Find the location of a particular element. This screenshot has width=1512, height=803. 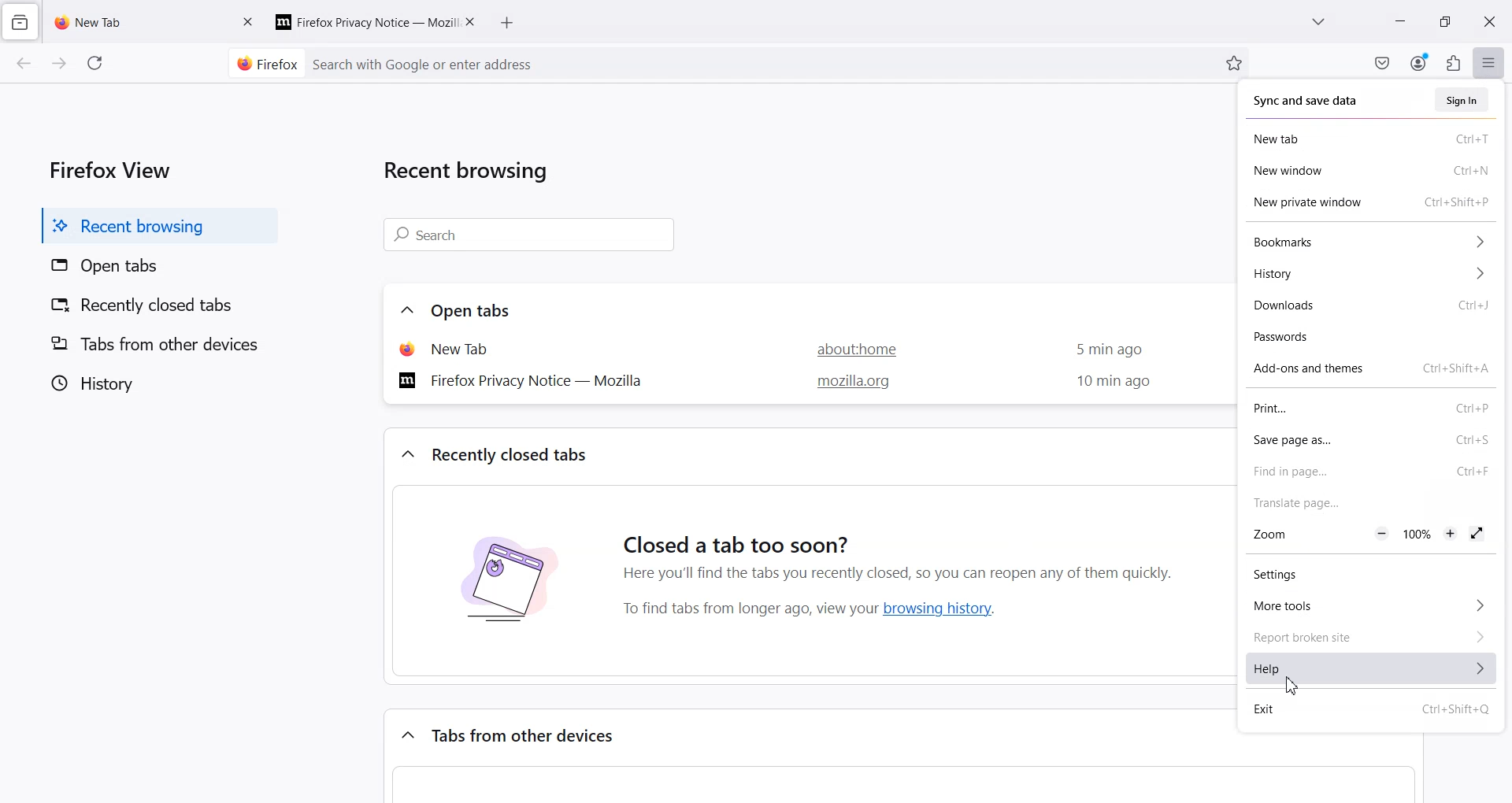

3 min ago is located at coordinates (1103, 350).